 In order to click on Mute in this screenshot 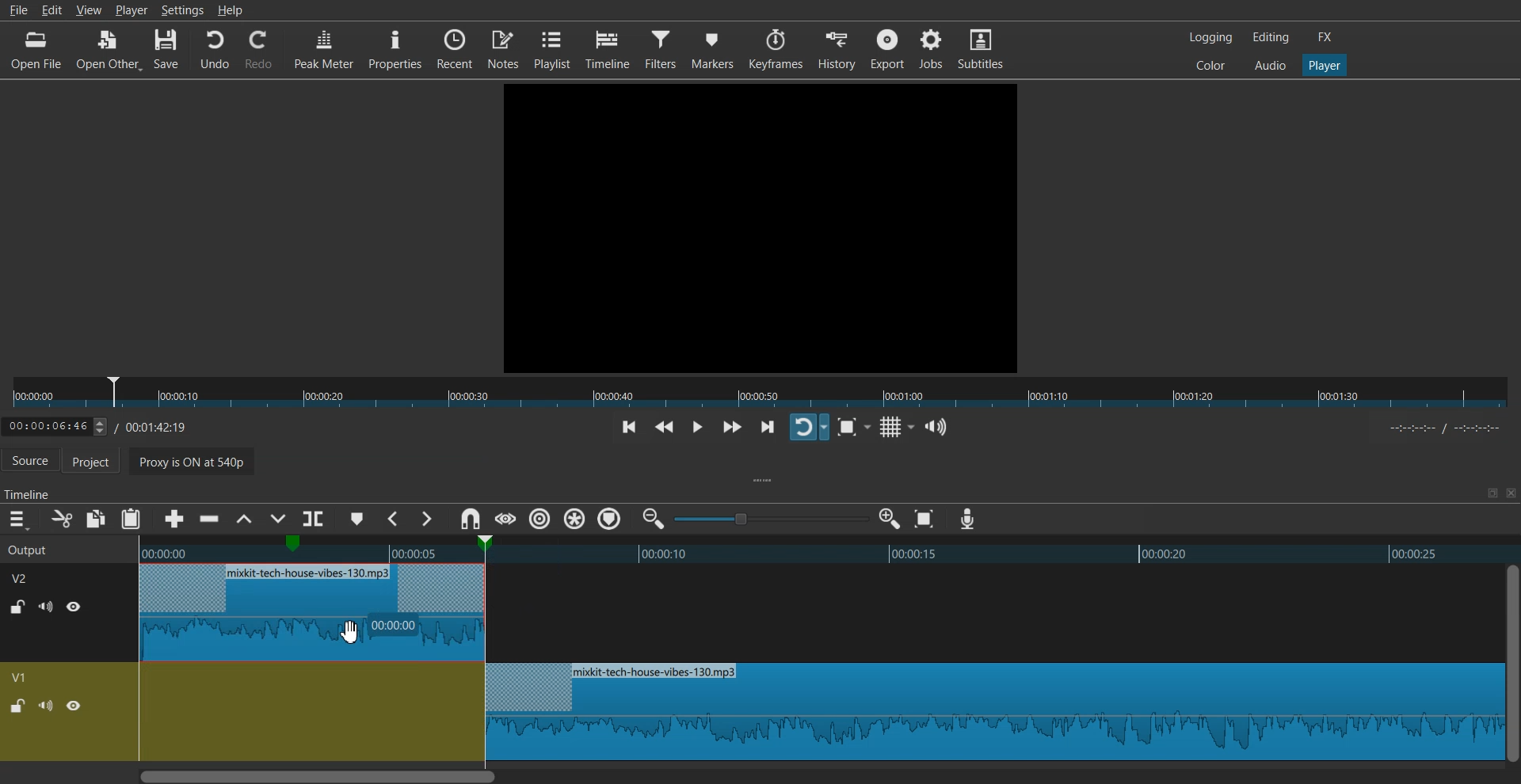, I will do `click(46, 705)`.